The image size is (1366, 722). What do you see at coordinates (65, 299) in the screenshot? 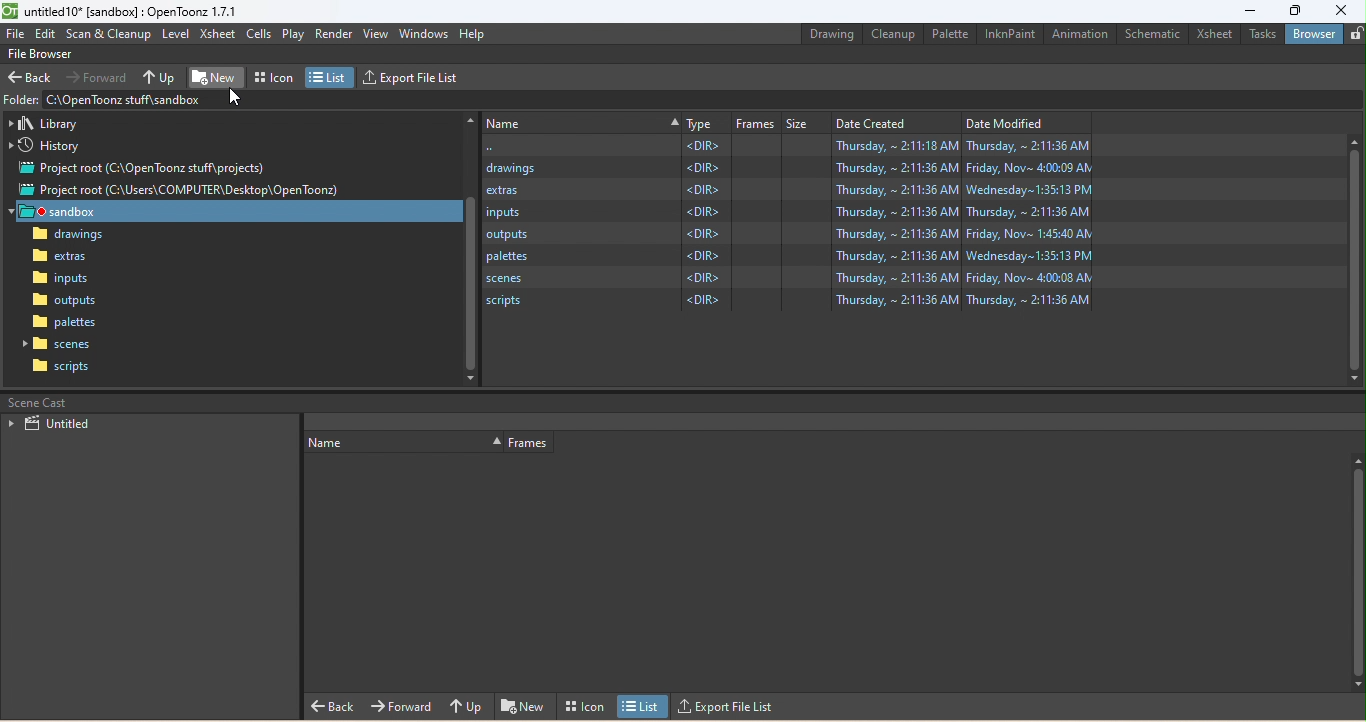
I see `outputs` at bounding box center [65, 299].